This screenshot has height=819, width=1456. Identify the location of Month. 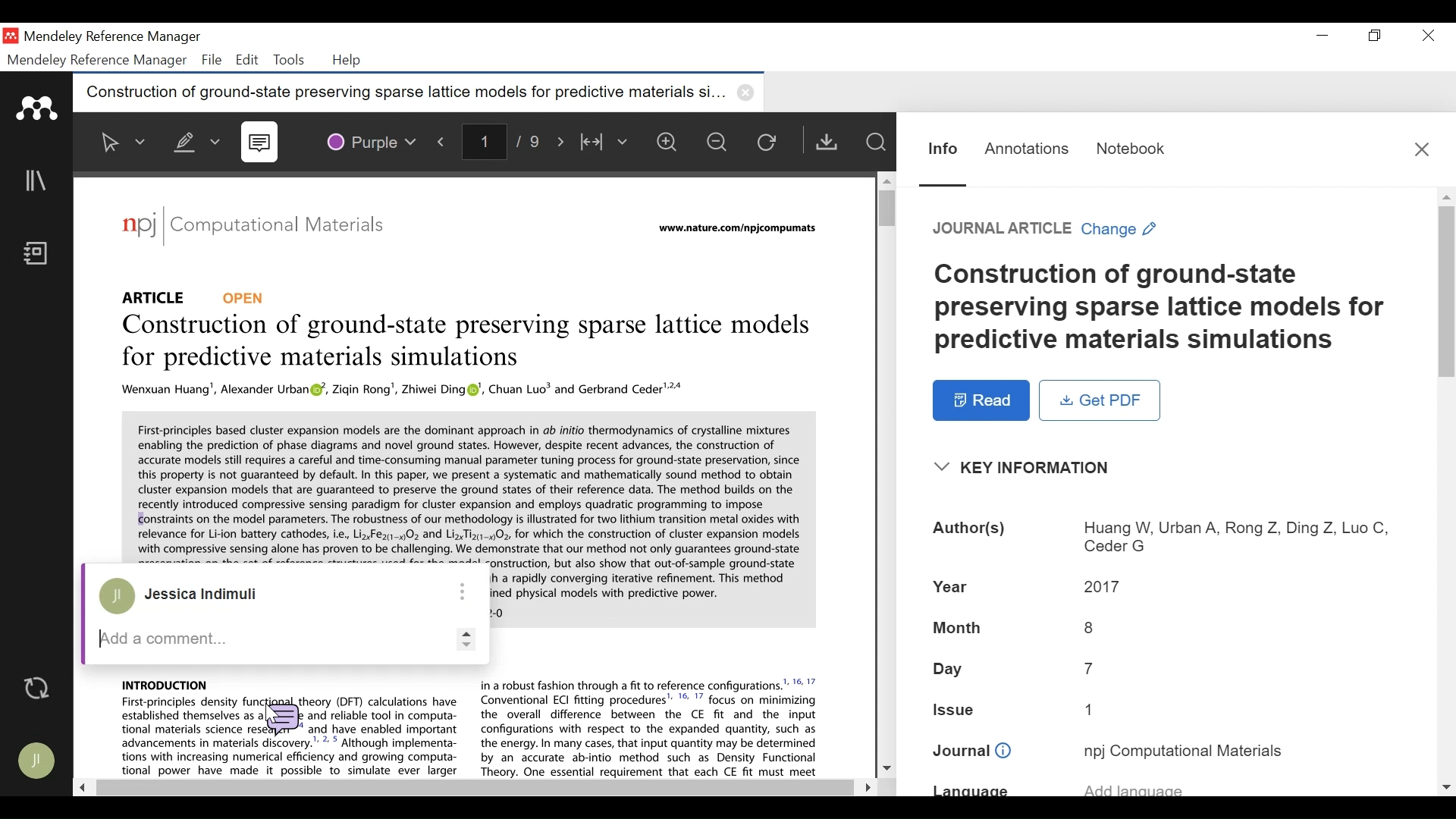
(1163, 627).